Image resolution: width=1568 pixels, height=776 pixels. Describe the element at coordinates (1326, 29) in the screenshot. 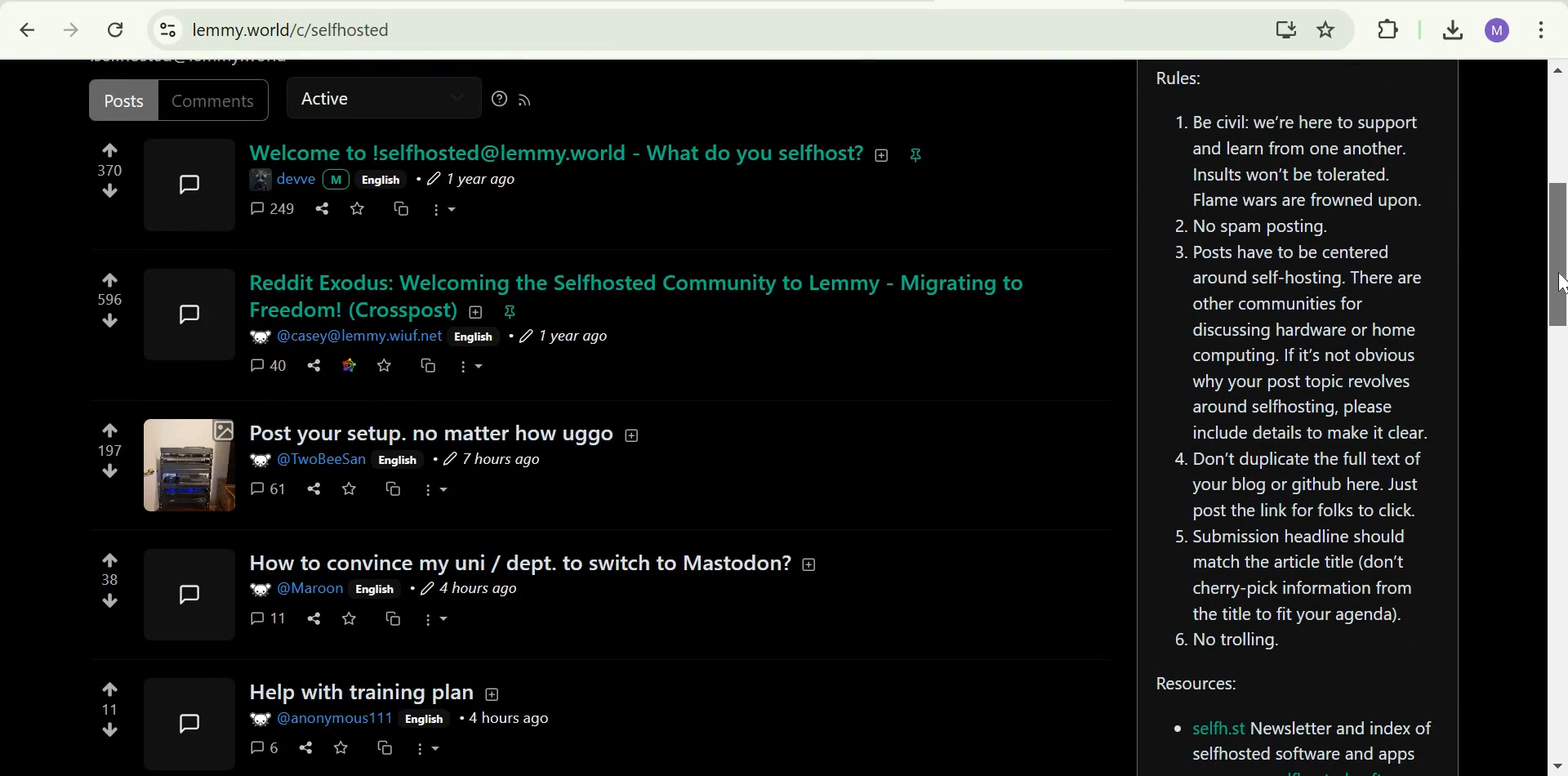

I see `Bookmark this tab` at that location.